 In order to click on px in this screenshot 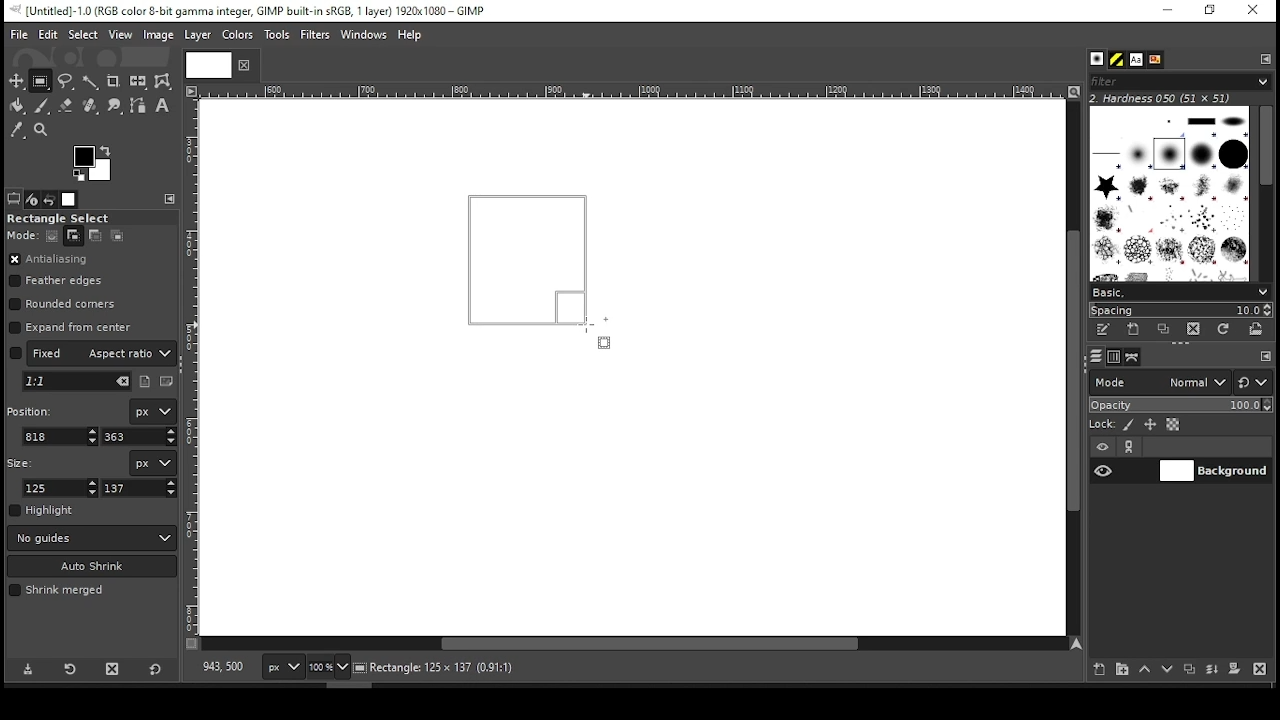, I will do `click(282, 669)`.